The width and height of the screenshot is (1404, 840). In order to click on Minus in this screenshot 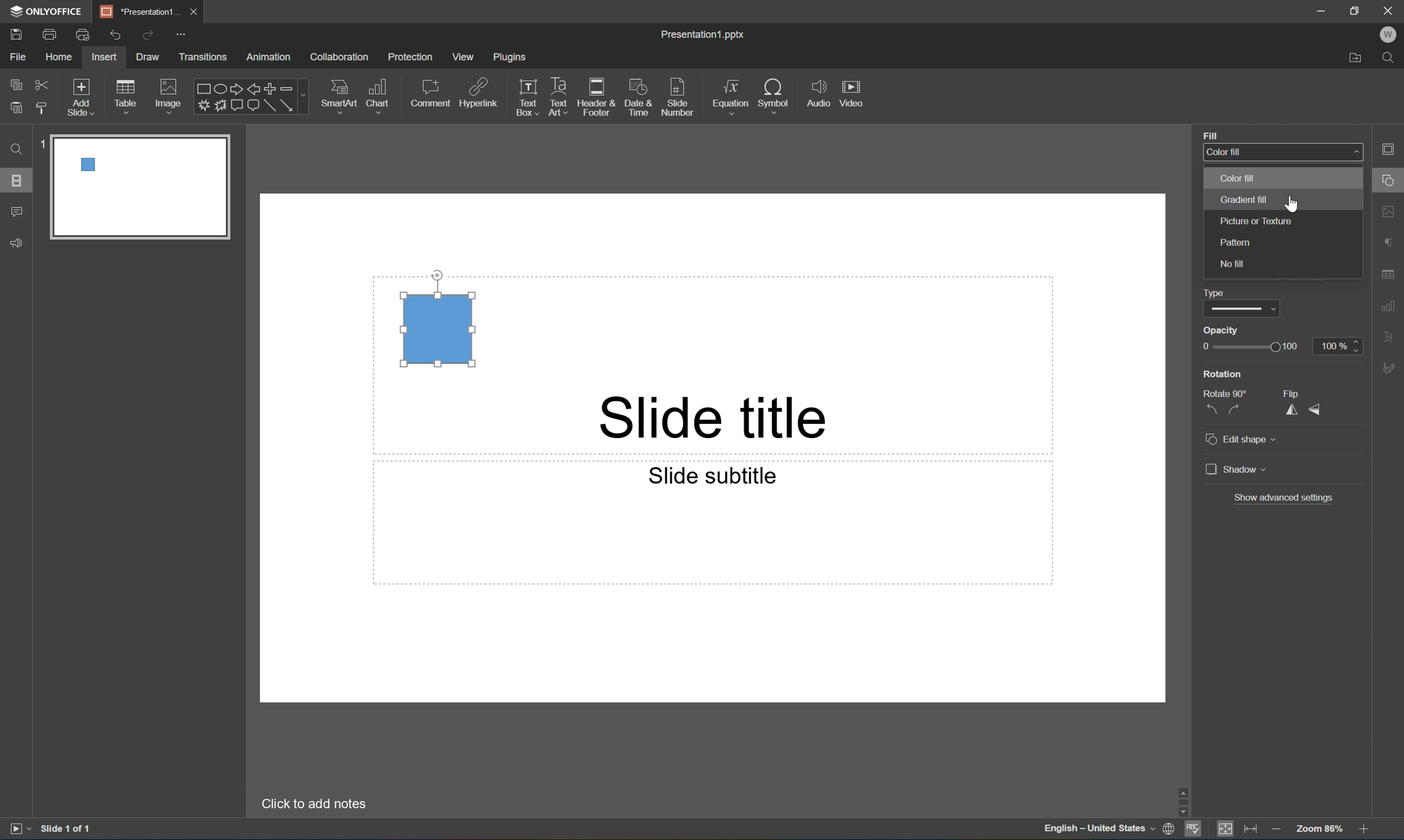, I will do `click(293, 88)`.